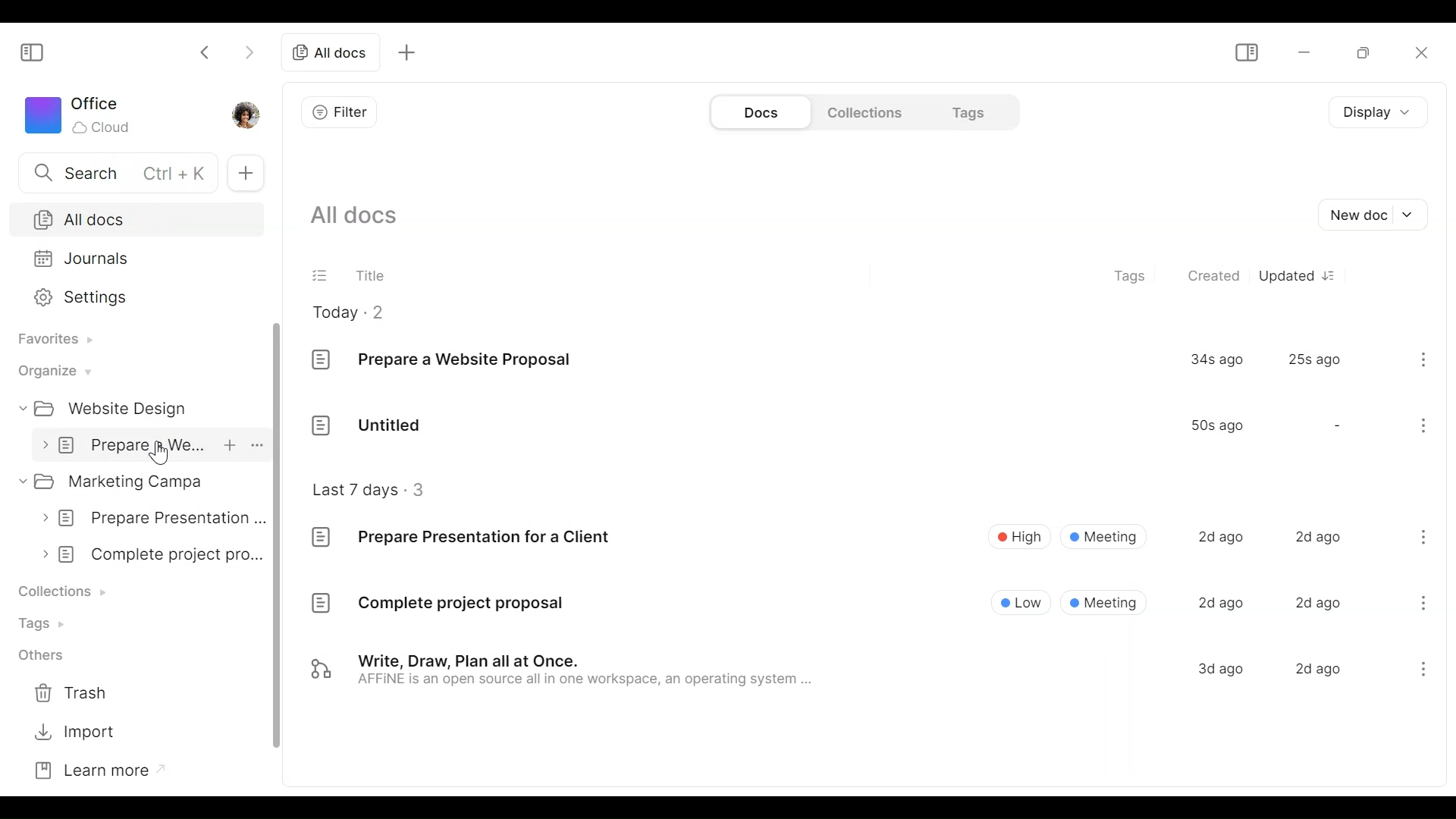  What do you see at coordinates (206, 52) in the screenshot?
I see `Back ` at bounding box center [206, 52].